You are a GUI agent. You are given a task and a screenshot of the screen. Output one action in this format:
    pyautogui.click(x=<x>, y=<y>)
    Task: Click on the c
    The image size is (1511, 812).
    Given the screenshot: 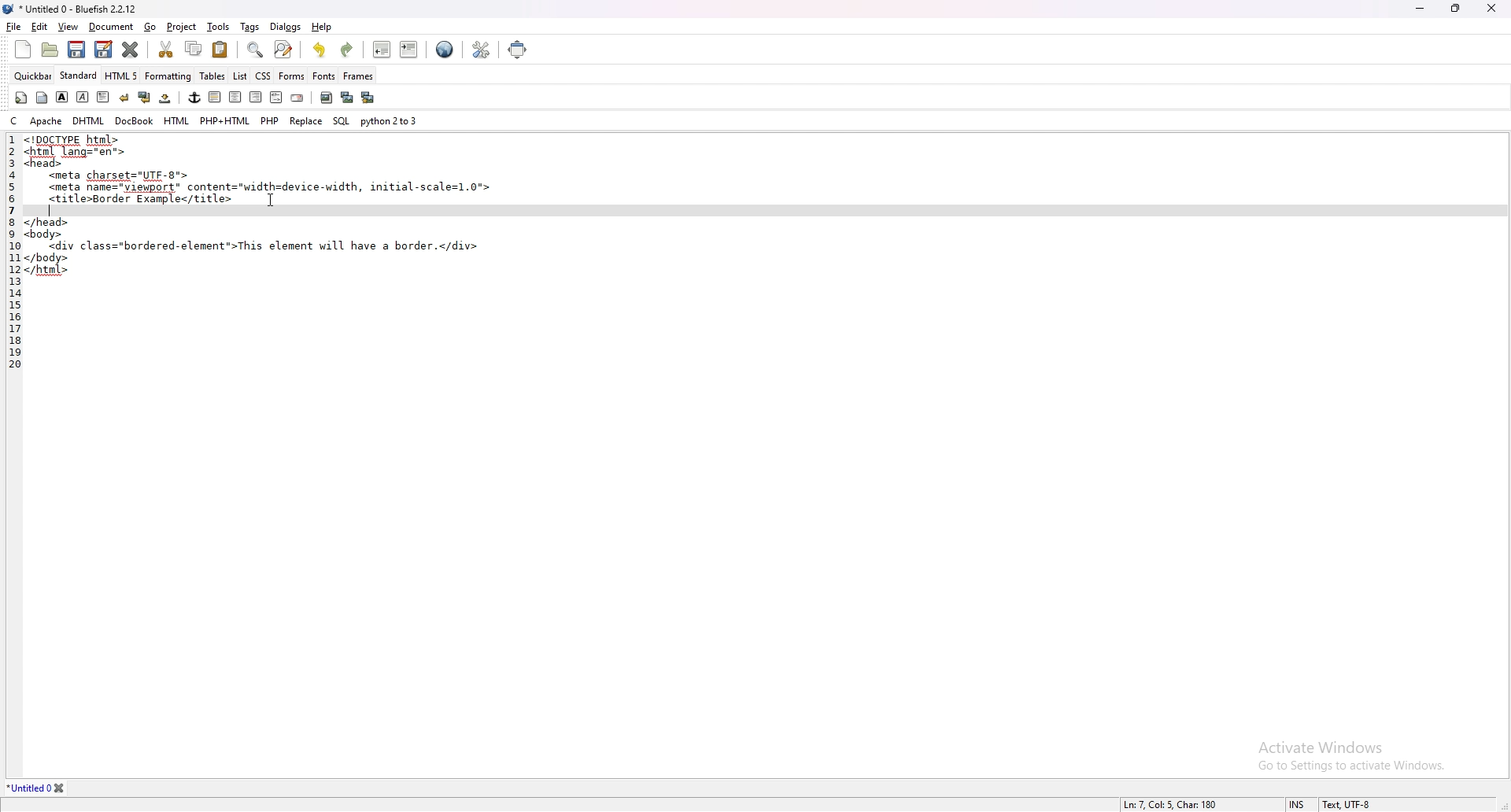 What is the action you would take?
    pyautogui.click(x=16, y=120)
    